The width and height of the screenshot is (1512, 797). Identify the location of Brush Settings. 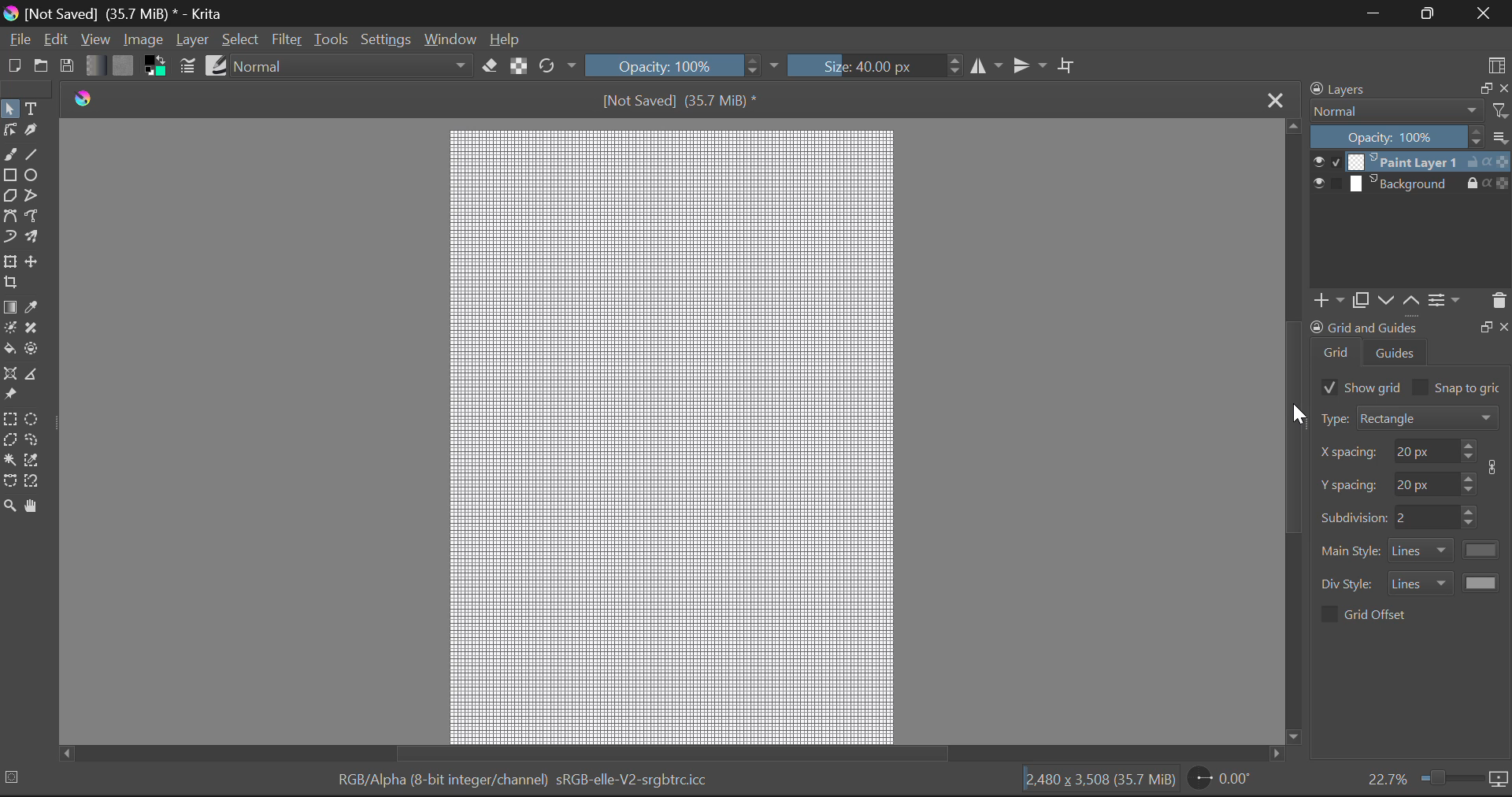
(186, 67).